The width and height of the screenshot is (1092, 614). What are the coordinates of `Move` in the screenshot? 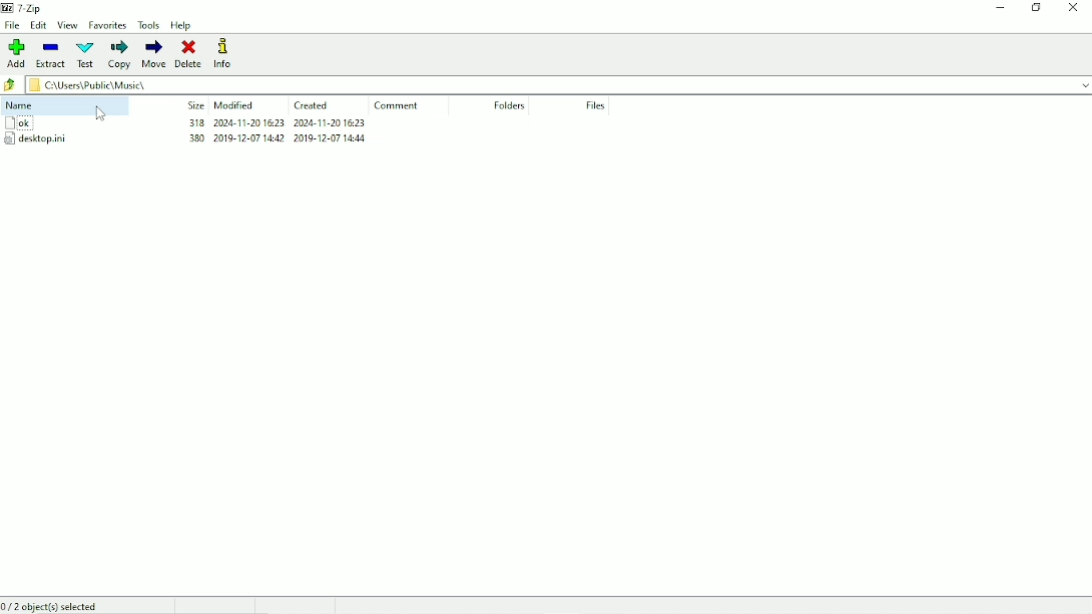 It's located at (154, 54).